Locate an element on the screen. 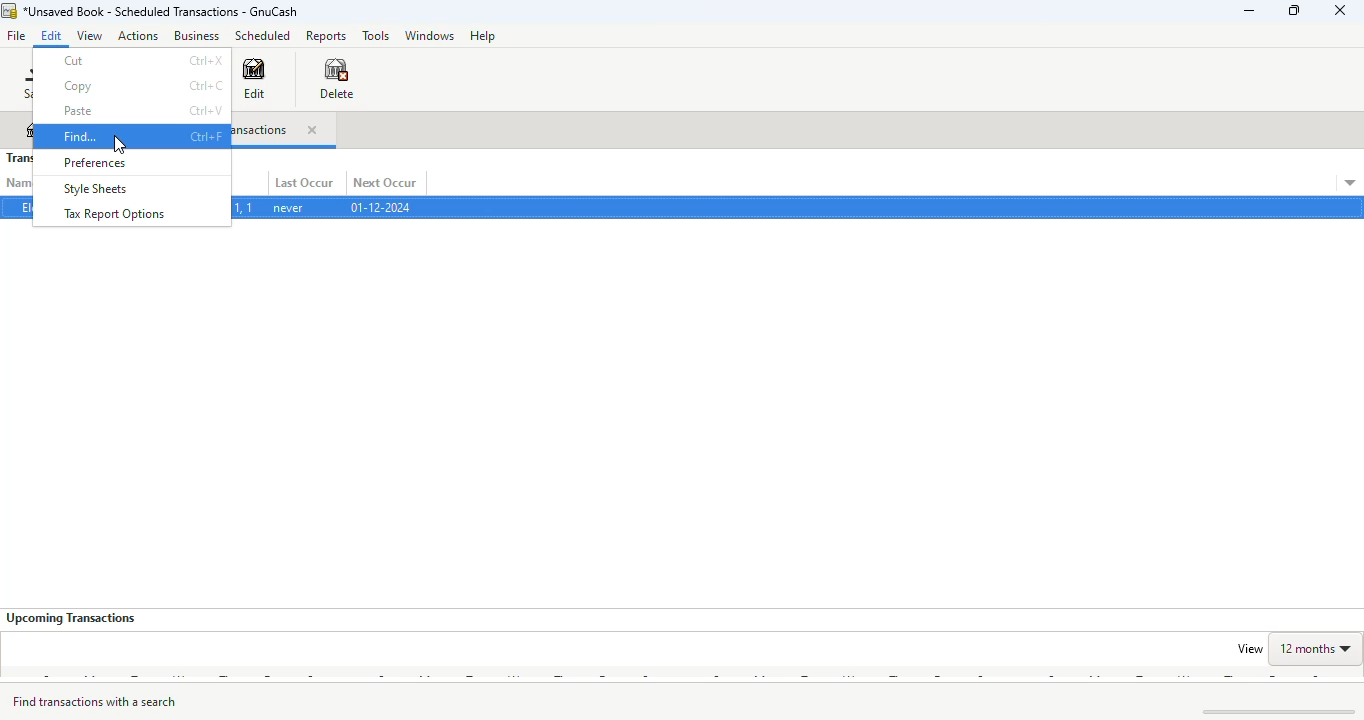 The width and height of the screenshot is (1364, 720). shortcut for copy is located at coordinates (207, 85).